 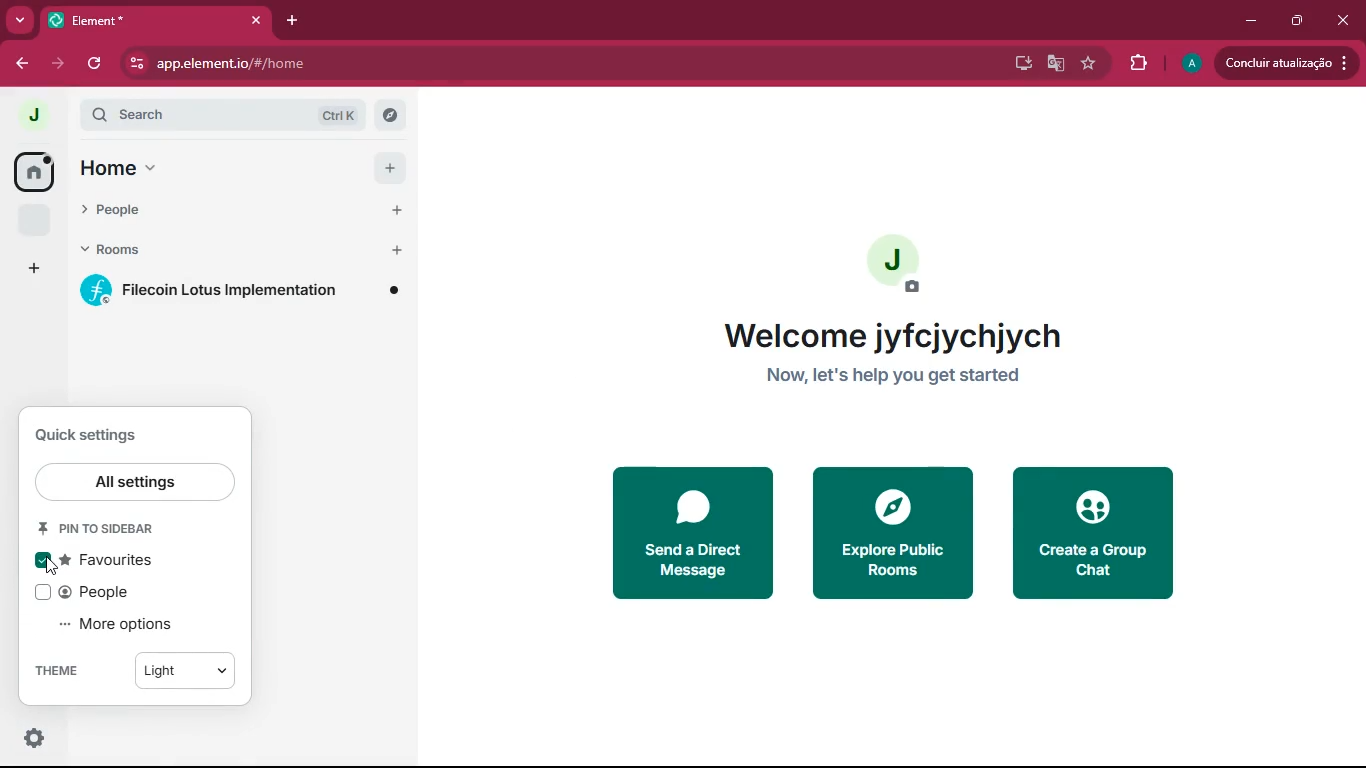 What do you see at coordinates (58, 65) in the screenshot?
I see `forward` at bounding box center [58, 65].